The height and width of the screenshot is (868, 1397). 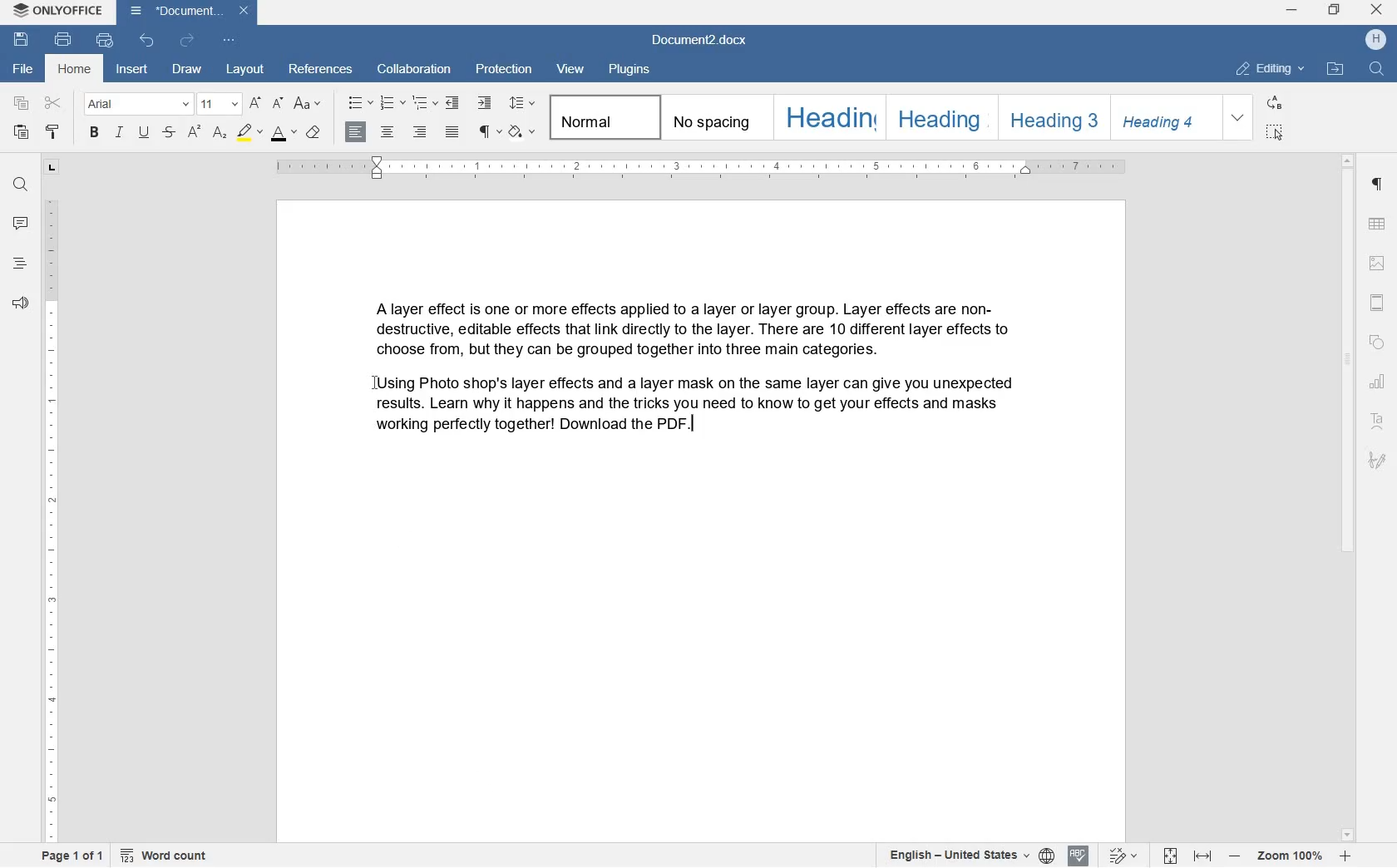 What do you see at coordinates (105, 39) in the screenshot?
I see `QUICK PRINT` at bounding box center [105, 39].